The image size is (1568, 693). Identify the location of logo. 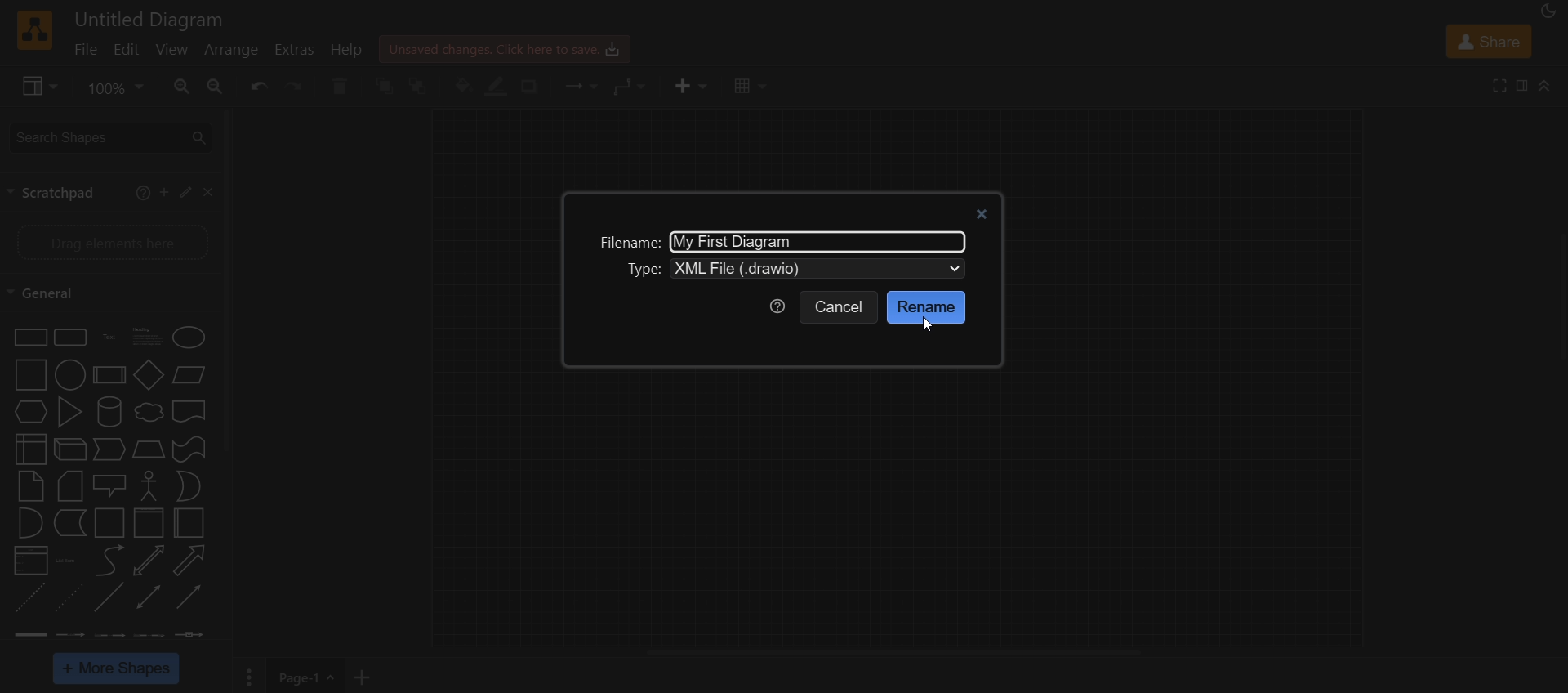
(35, 30).